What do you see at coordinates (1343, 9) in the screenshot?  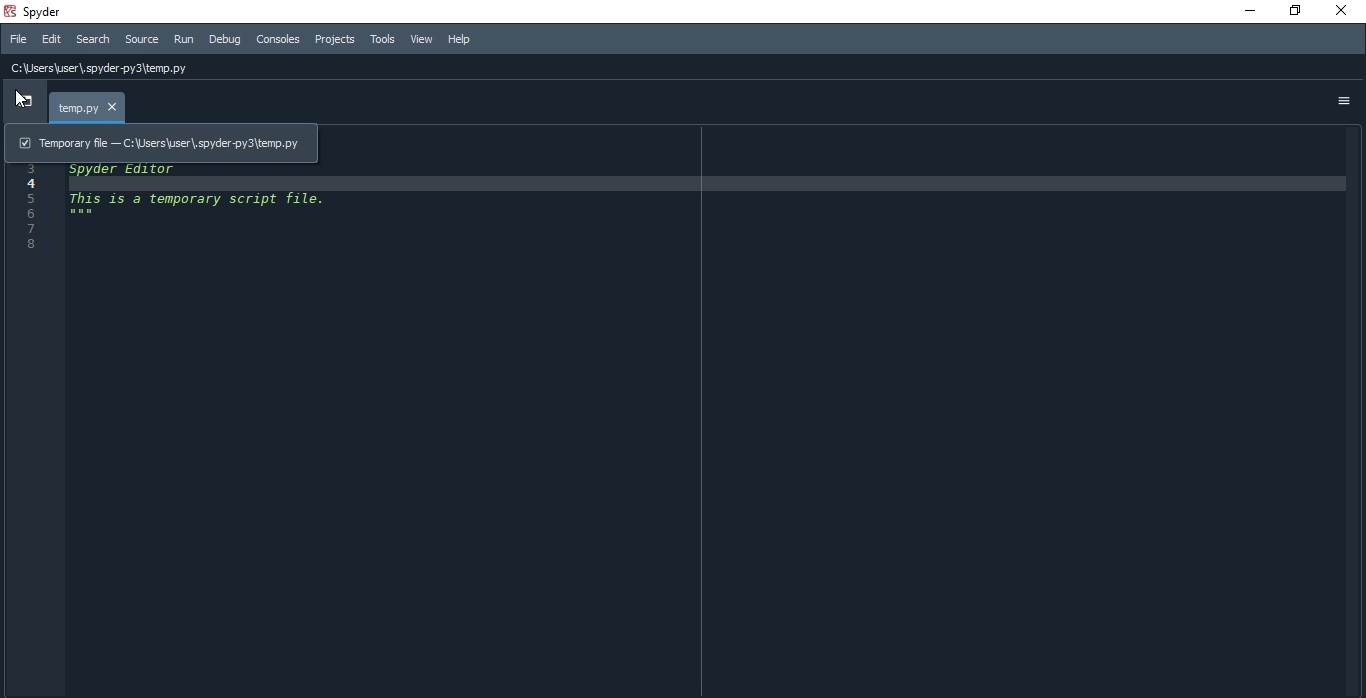 I see `close` at bounding box center [1343, 9].